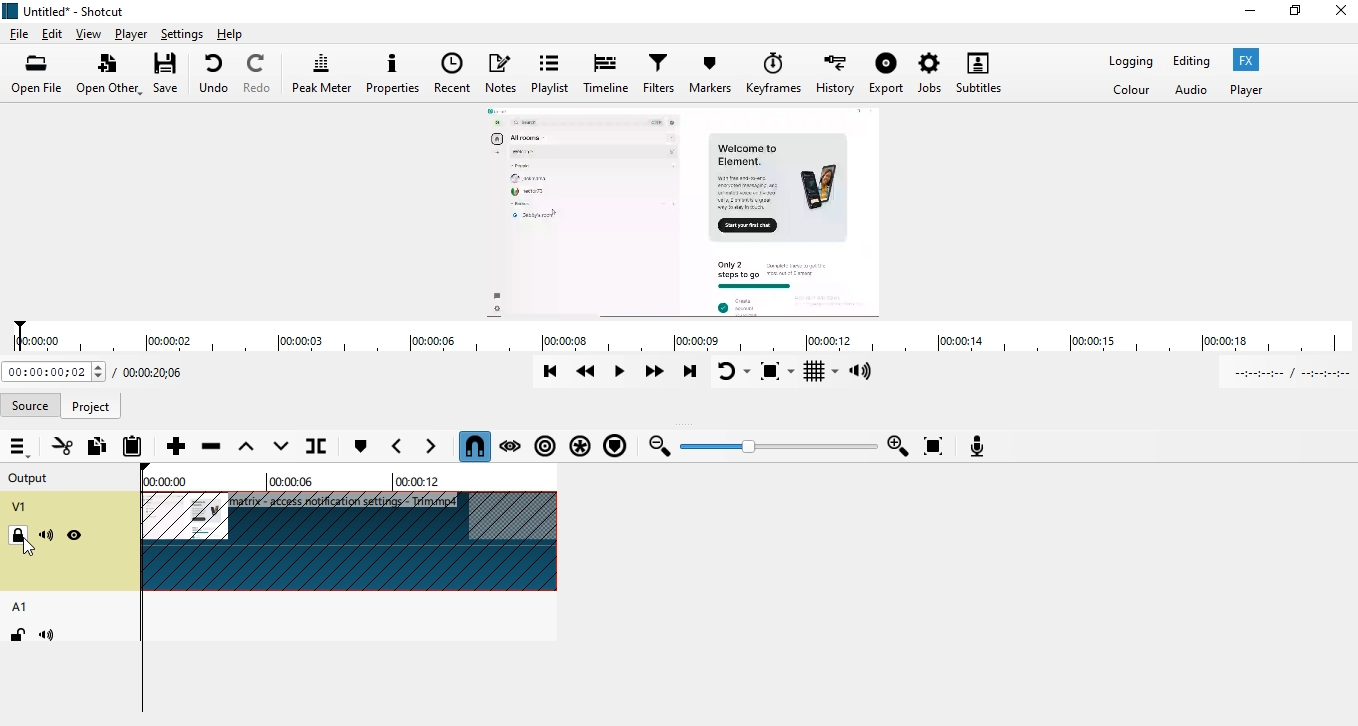 The width and height of the screenshot is (1358, 726). Describe the element at coordinates (887, 71) in the screenshot. I see `export` at that location.